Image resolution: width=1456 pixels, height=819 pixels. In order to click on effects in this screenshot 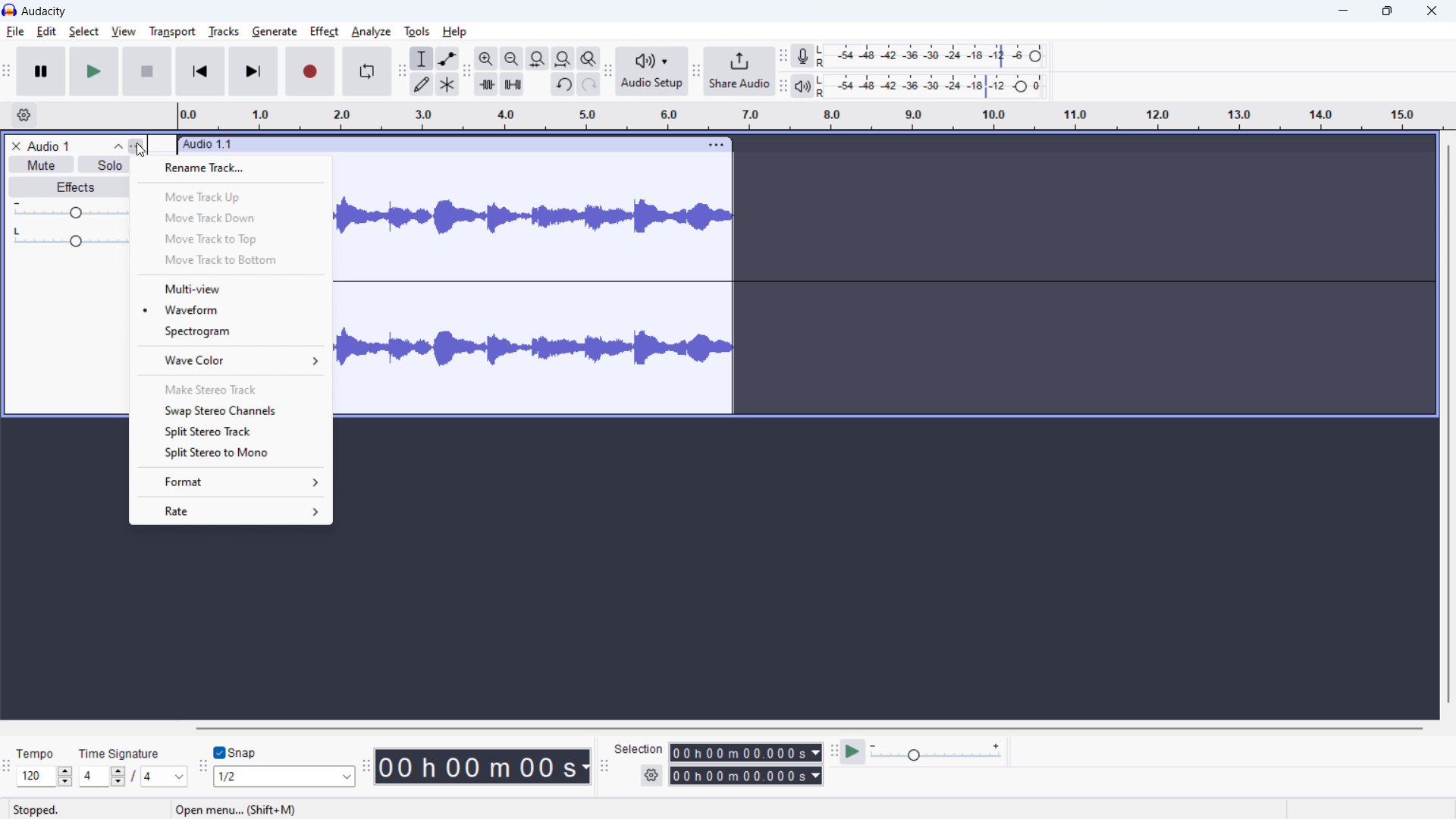, I will do `click(72, 187)`.